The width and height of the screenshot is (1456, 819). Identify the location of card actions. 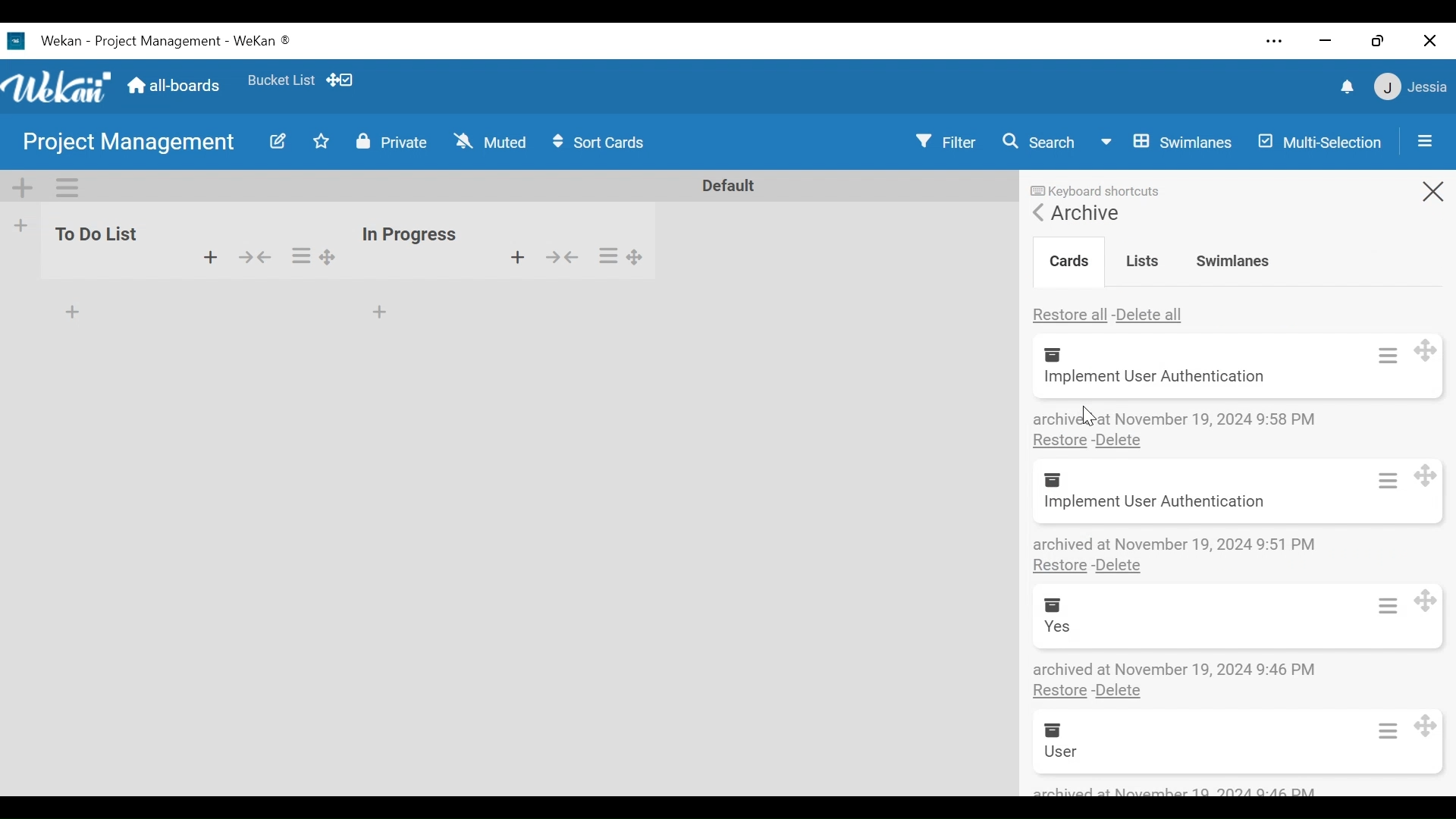
(1390, 482).